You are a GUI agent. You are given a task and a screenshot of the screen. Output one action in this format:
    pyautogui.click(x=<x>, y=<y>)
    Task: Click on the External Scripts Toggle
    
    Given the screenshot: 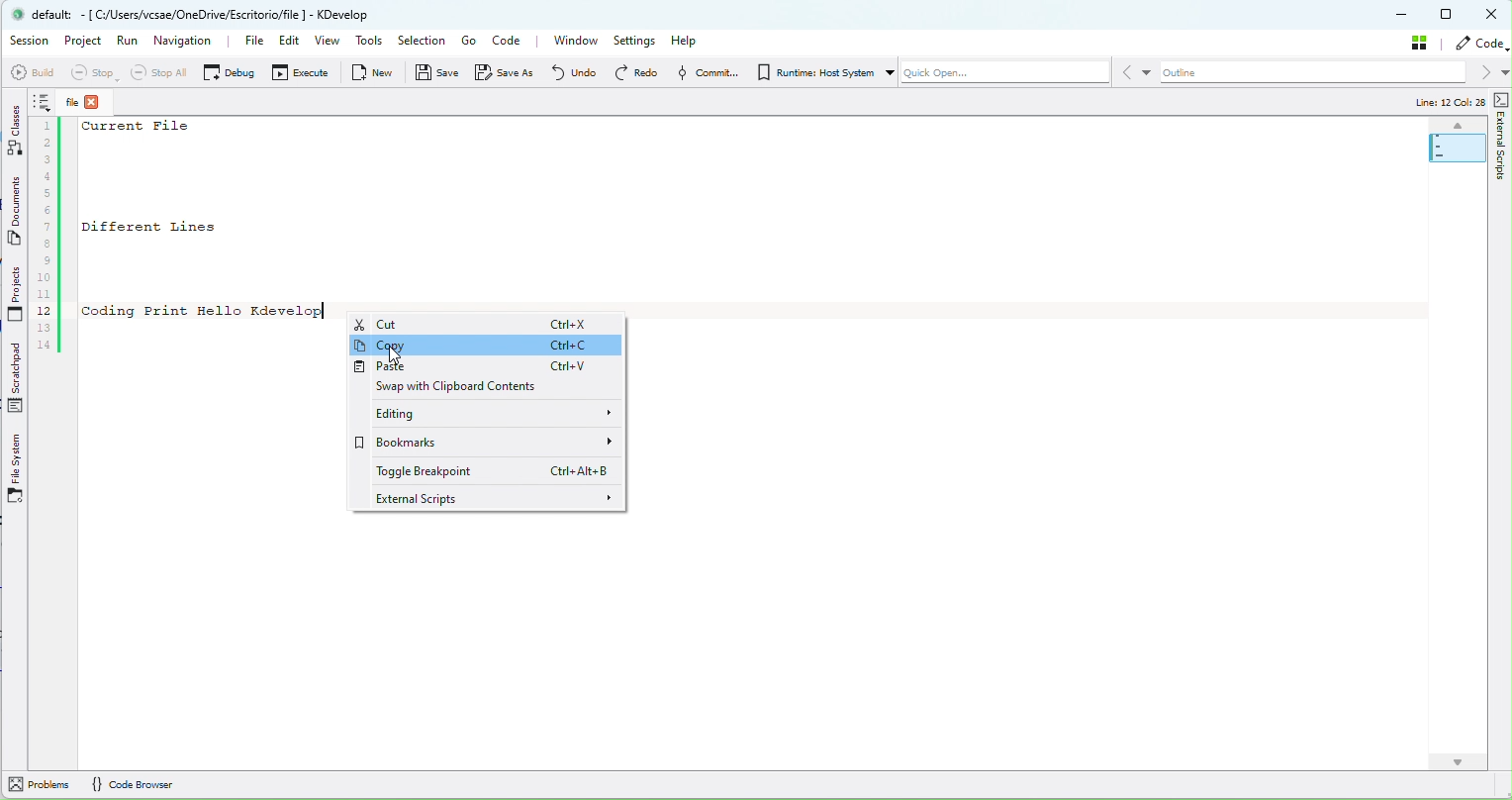 What is the action you would take?
    pyautogui.click(x=1502, y=99)
    